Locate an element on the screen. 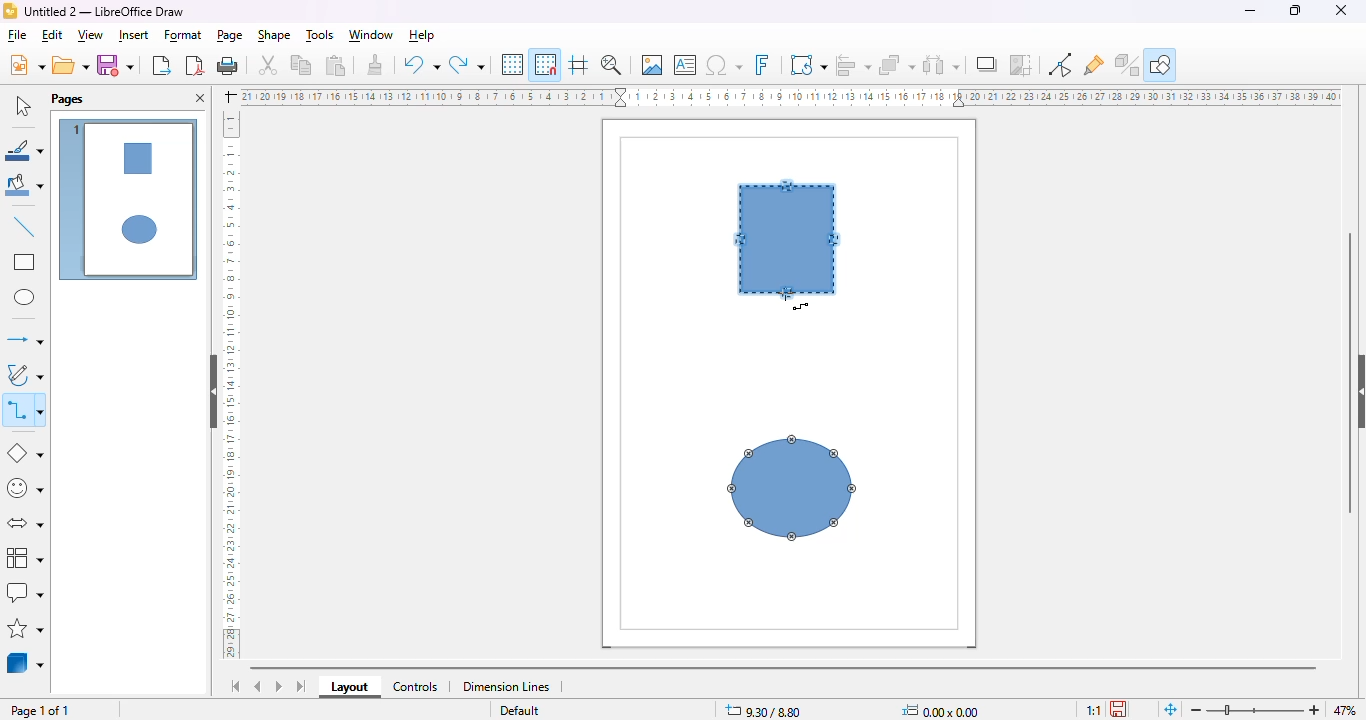 This screenshot has height=720, width=1366. page 1 is located at coordinates (129, 201).